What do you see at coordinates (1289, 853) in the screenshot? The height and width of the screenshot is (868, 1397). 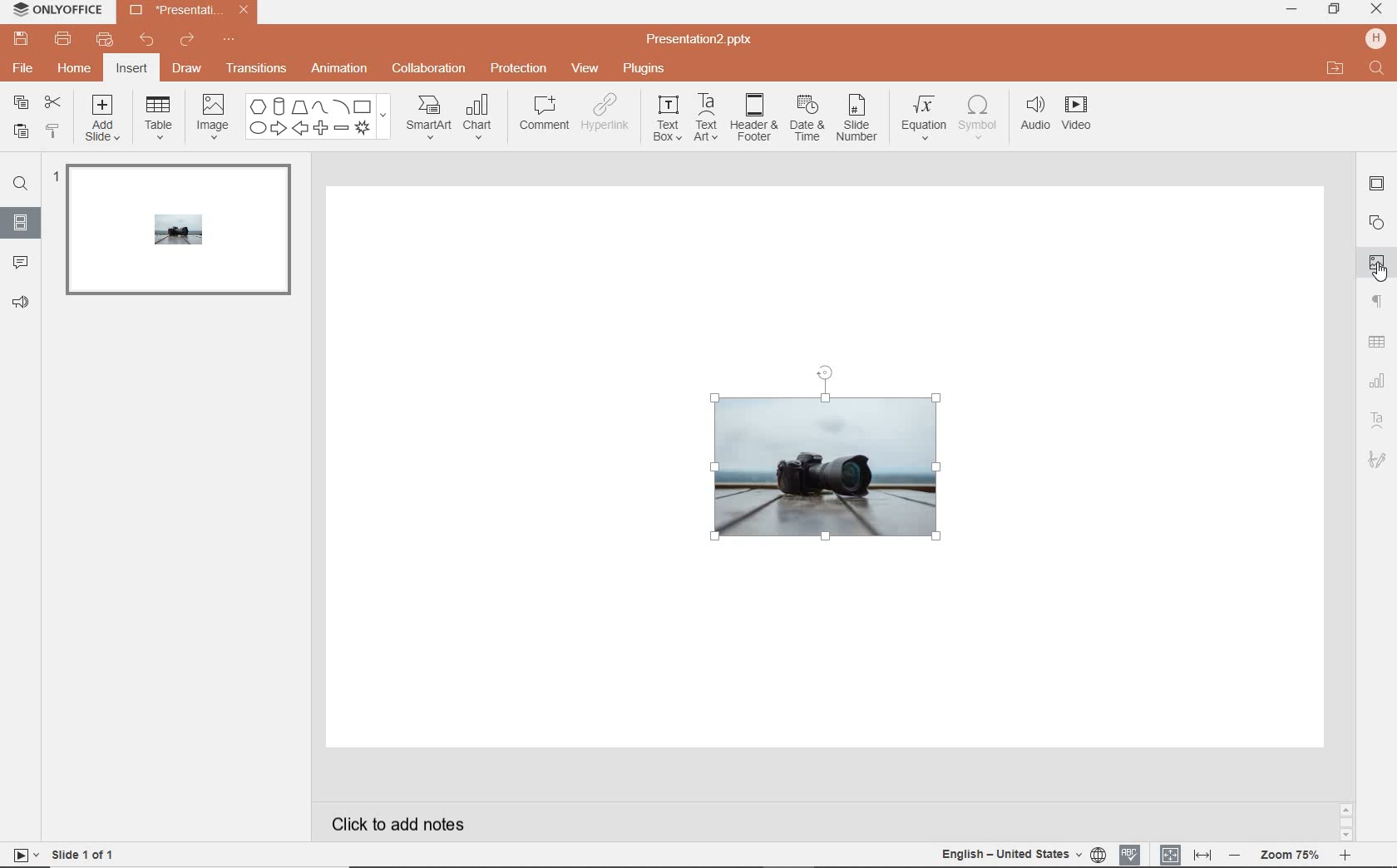 I see `zoom` at bounding box center [1289, 853].